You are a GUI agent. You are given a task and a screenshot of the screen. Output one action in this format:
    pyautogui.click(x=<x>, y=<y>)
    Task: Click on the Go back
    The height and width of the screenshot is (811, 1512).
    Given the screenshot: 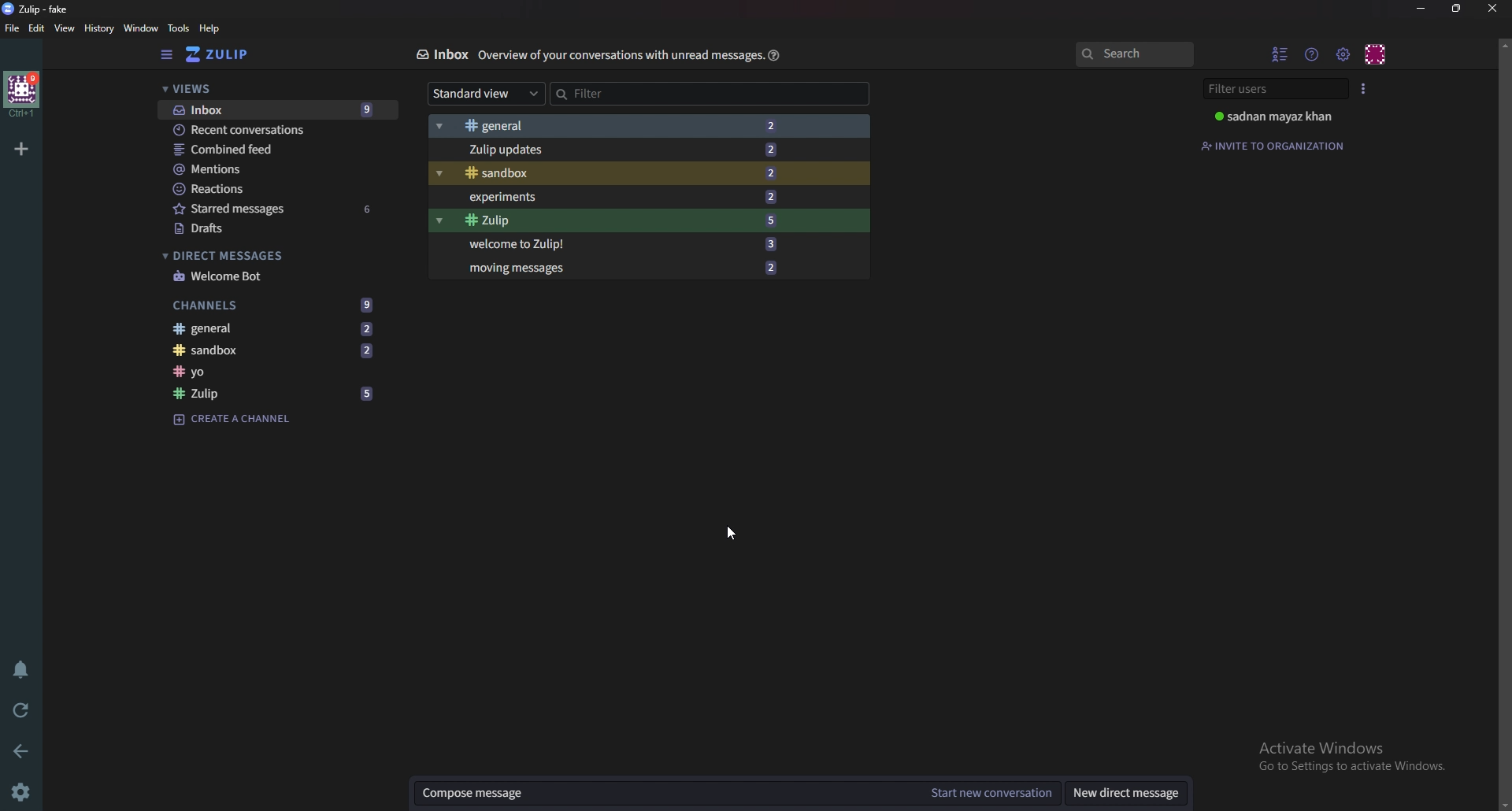 What is the action you would take?
    pyautogui.click(x=22, y=750)
    